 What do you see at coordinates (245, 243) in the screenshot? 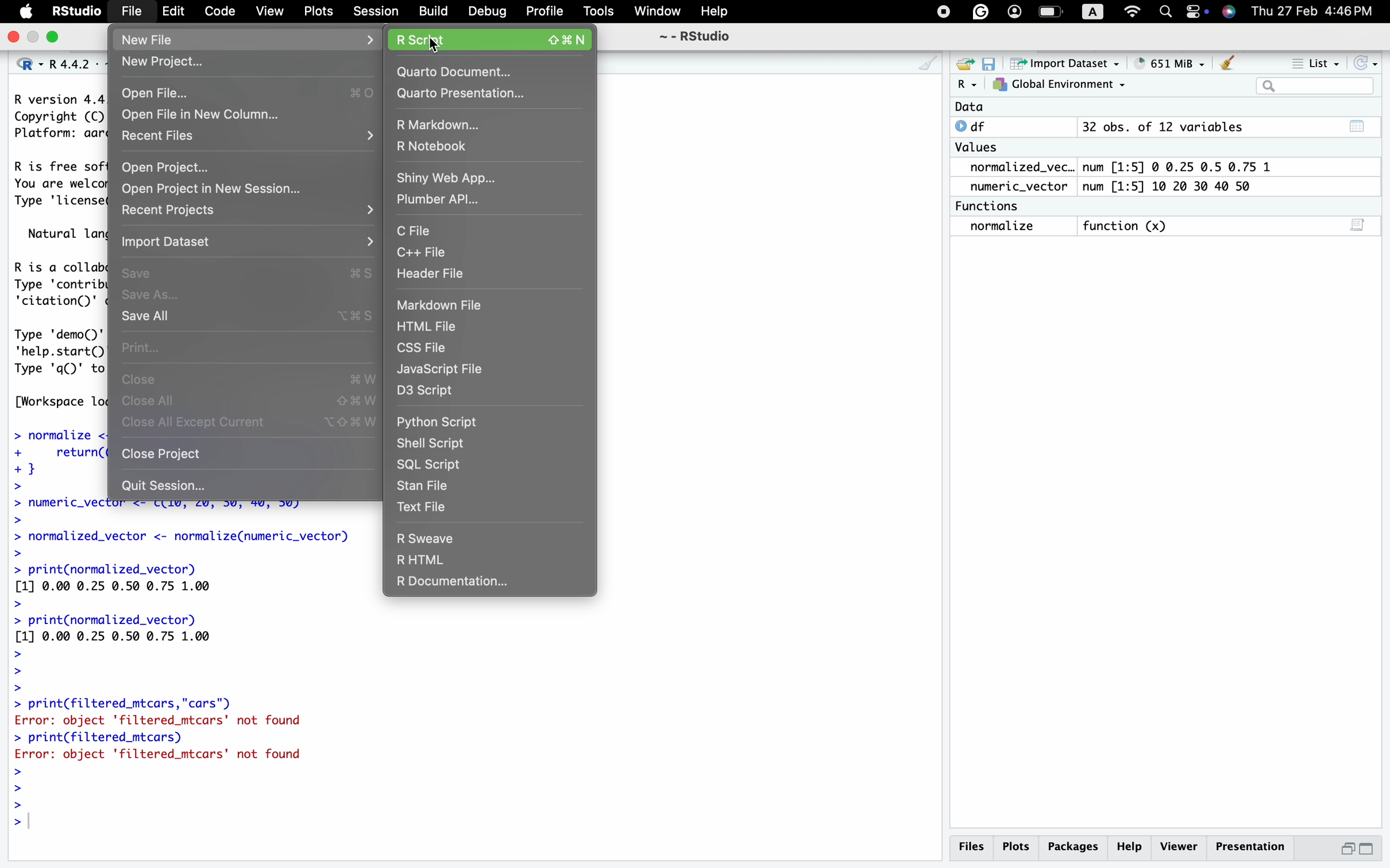
I see `Import Dataset` at bounding box center [245, 243].